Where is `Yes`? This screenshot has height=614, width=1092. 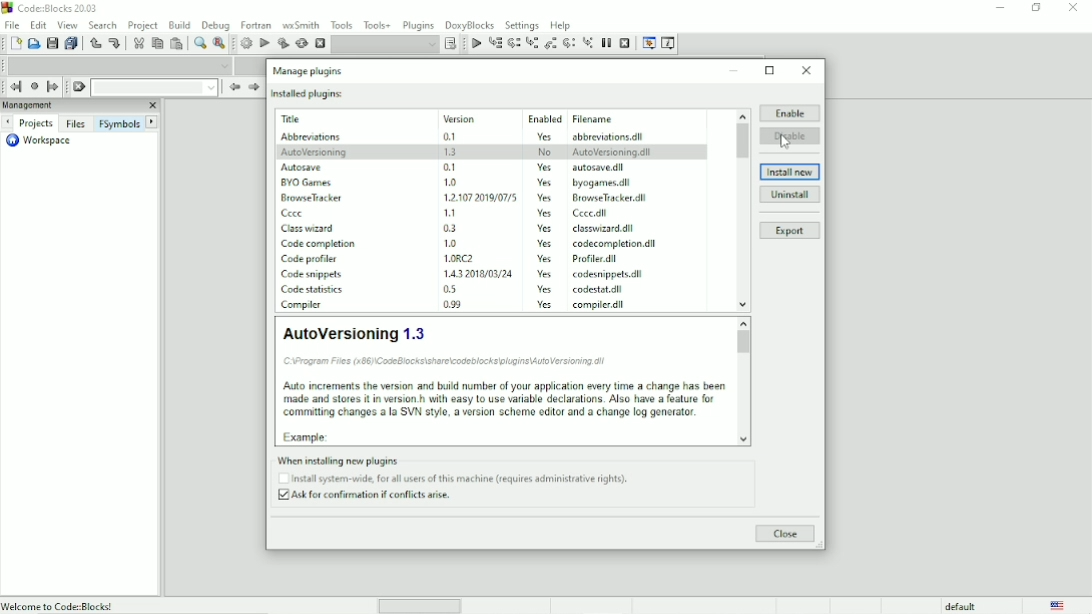 Yes is located at coordinates (544, 274).